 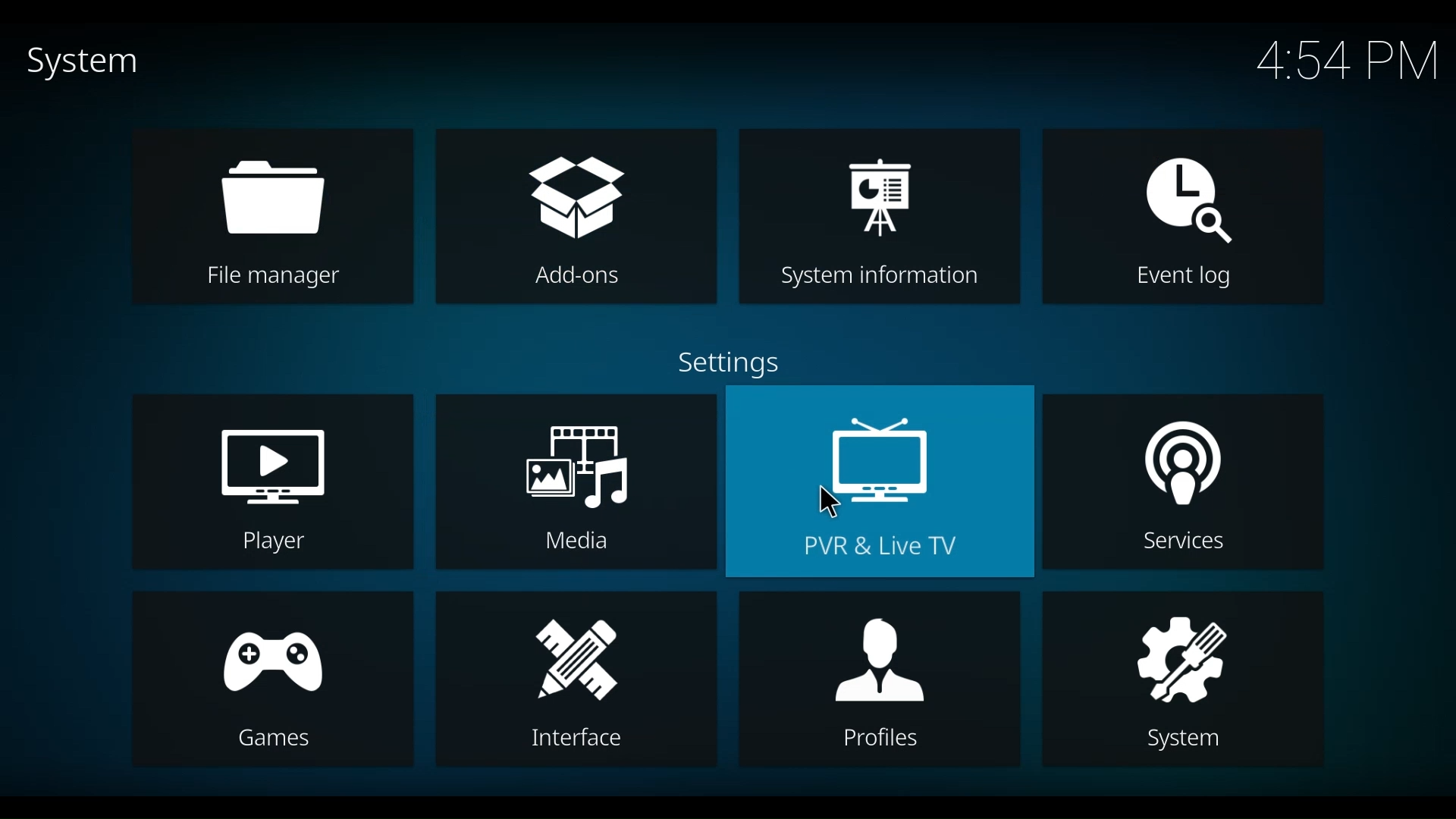 What do you see at coordinates (576, 217) in the screenshot?
I see `Add-ons` at bounding box center [576, 217].